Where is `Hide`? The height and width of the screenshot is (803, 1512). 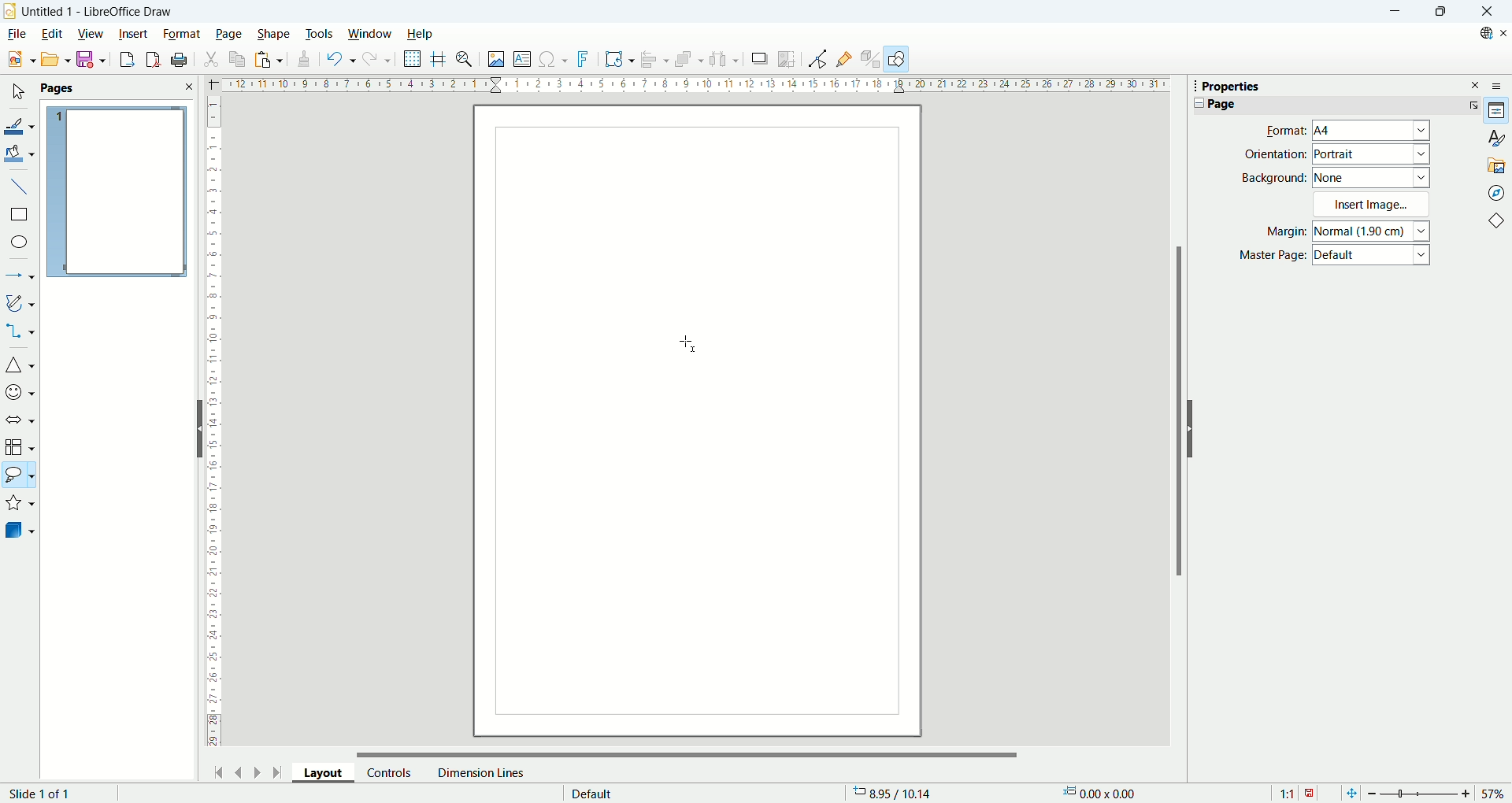
Hide is located at coordinates (197, 427).